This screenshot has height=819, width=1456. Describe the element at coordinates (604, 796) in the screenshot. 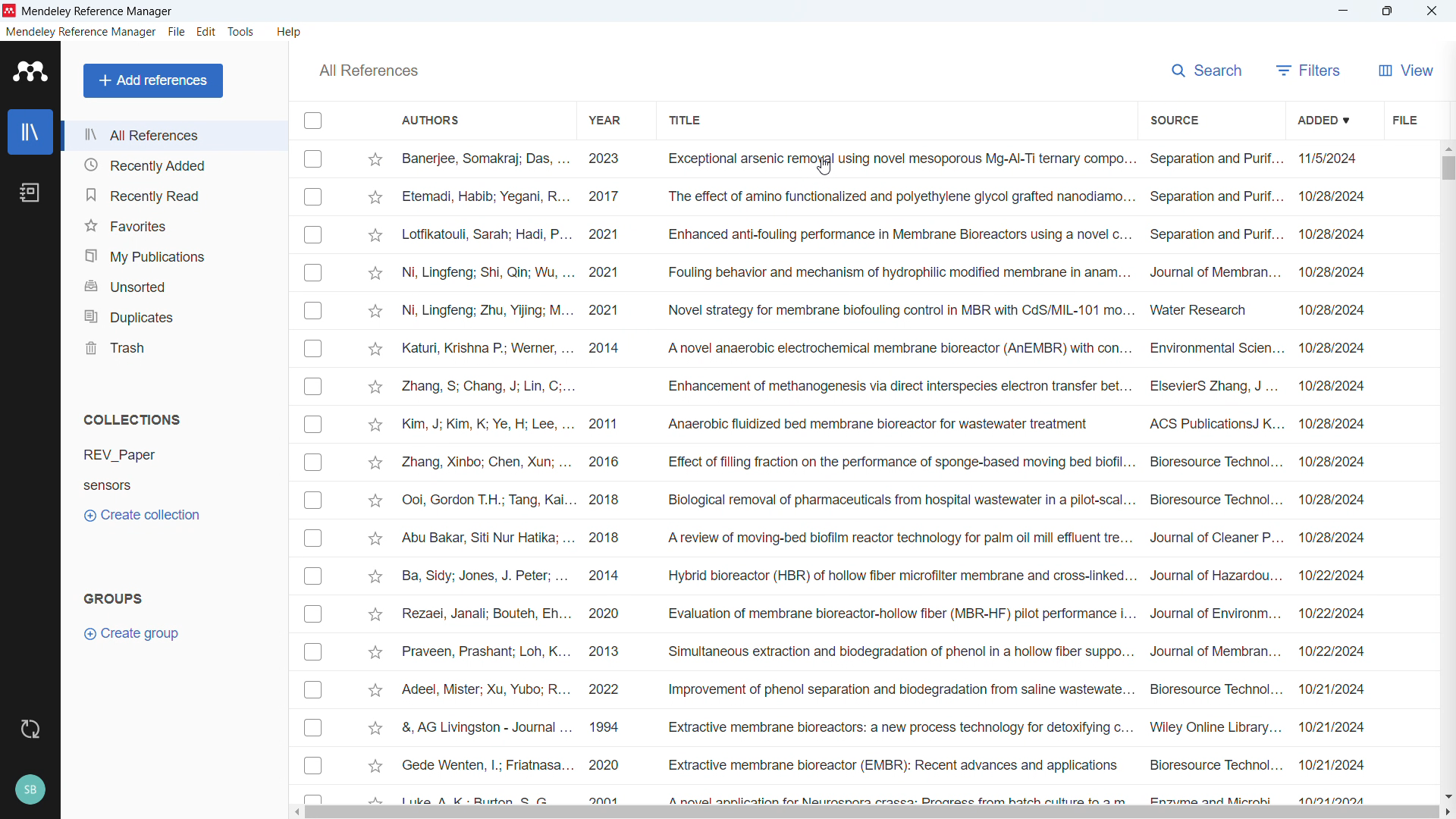

I see `2001` at that location.